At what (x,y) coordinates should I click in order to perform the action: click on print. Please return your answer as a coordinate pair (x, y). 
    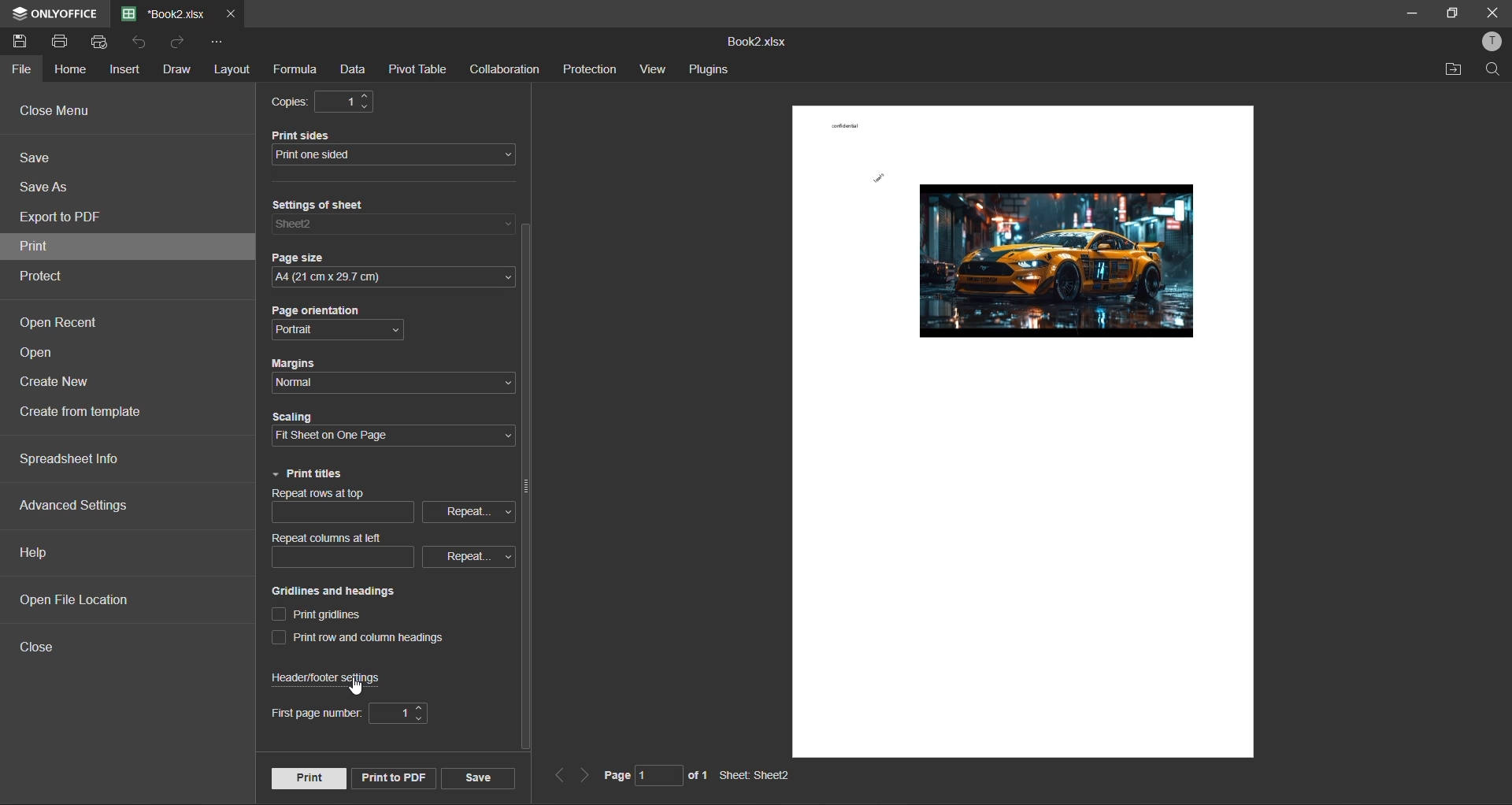
    Looking at the image, I should click on (34, 247).